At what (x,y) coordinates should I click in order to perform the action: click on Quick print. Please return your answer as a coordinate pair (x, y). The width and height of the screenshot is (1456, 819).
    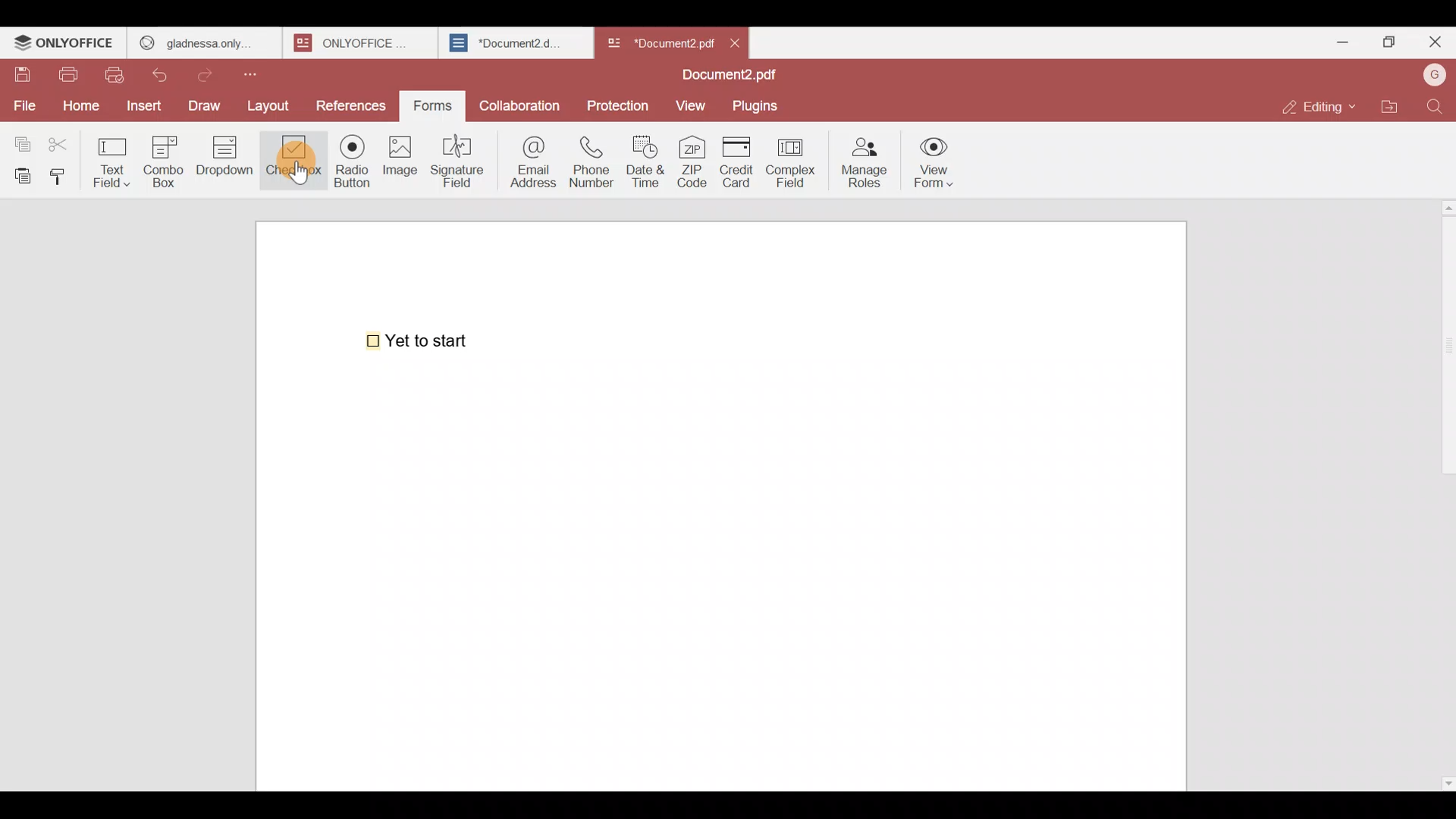
    Looking at the image, I should click on (119, 74).